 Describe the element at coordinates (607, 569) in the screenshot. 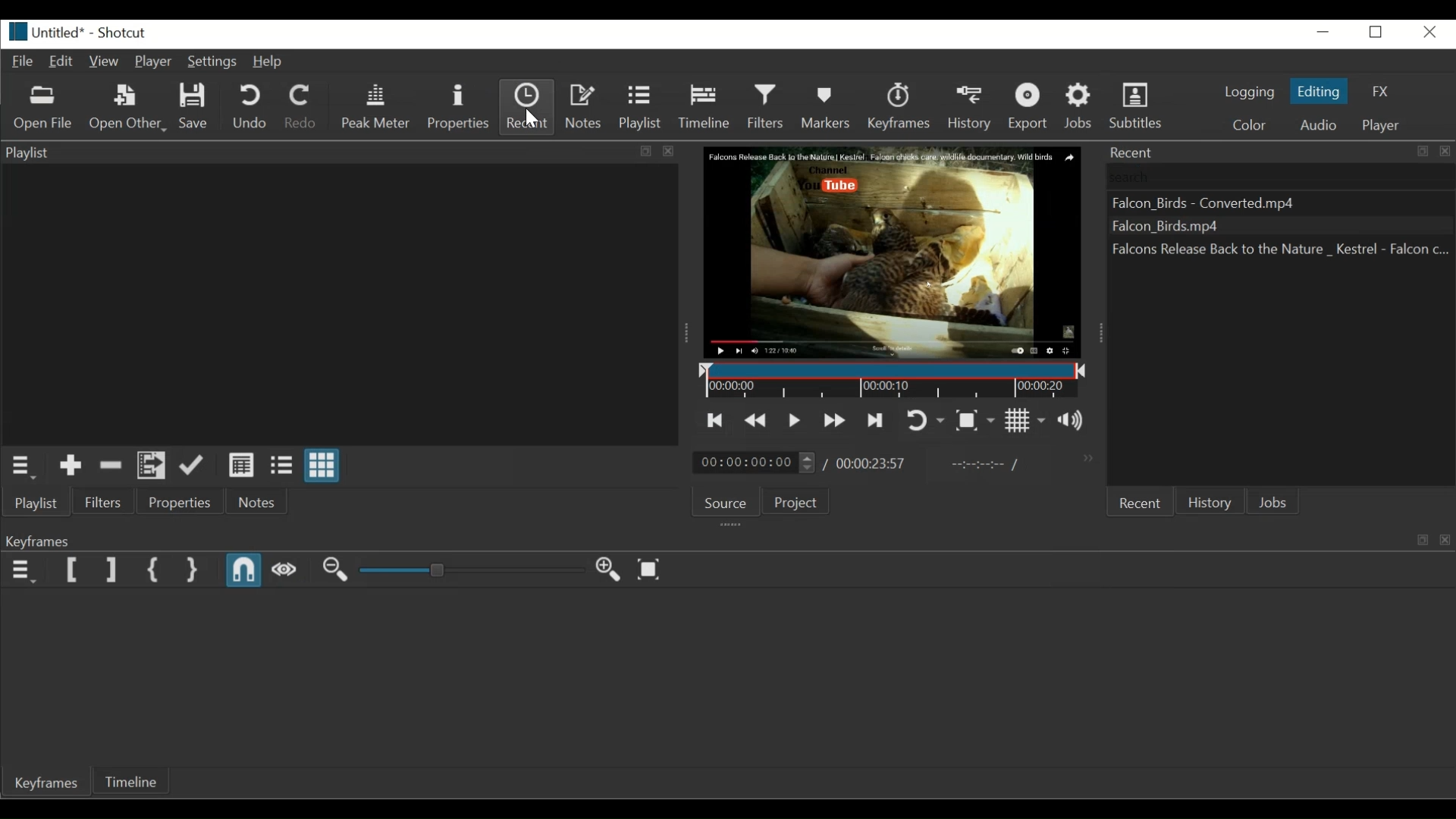

I see `Zoom timeline in` at that location.